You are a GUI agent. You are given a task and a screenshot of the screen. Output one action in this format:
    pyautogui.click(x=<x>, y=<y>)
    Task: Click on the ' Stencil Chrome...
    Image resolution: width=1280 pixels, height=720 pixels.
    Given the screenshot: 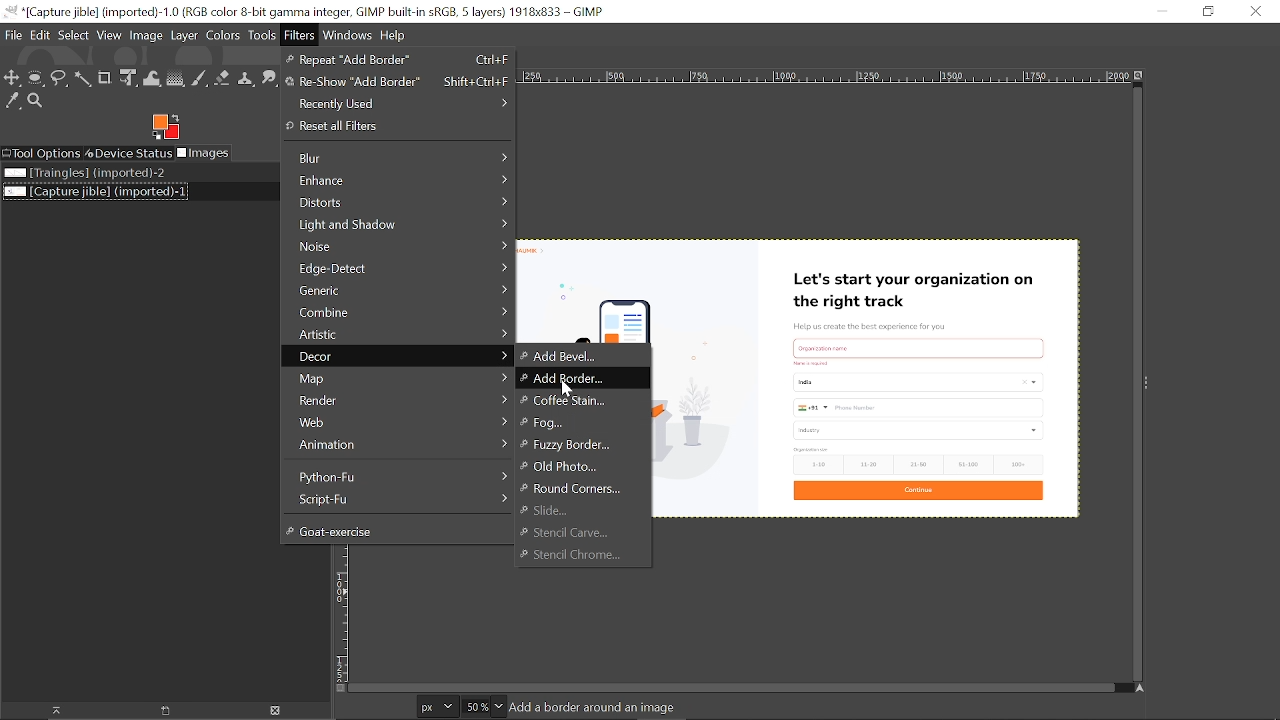 What is the action you would take?
    pyautogui.click(x=584, y=556)
    